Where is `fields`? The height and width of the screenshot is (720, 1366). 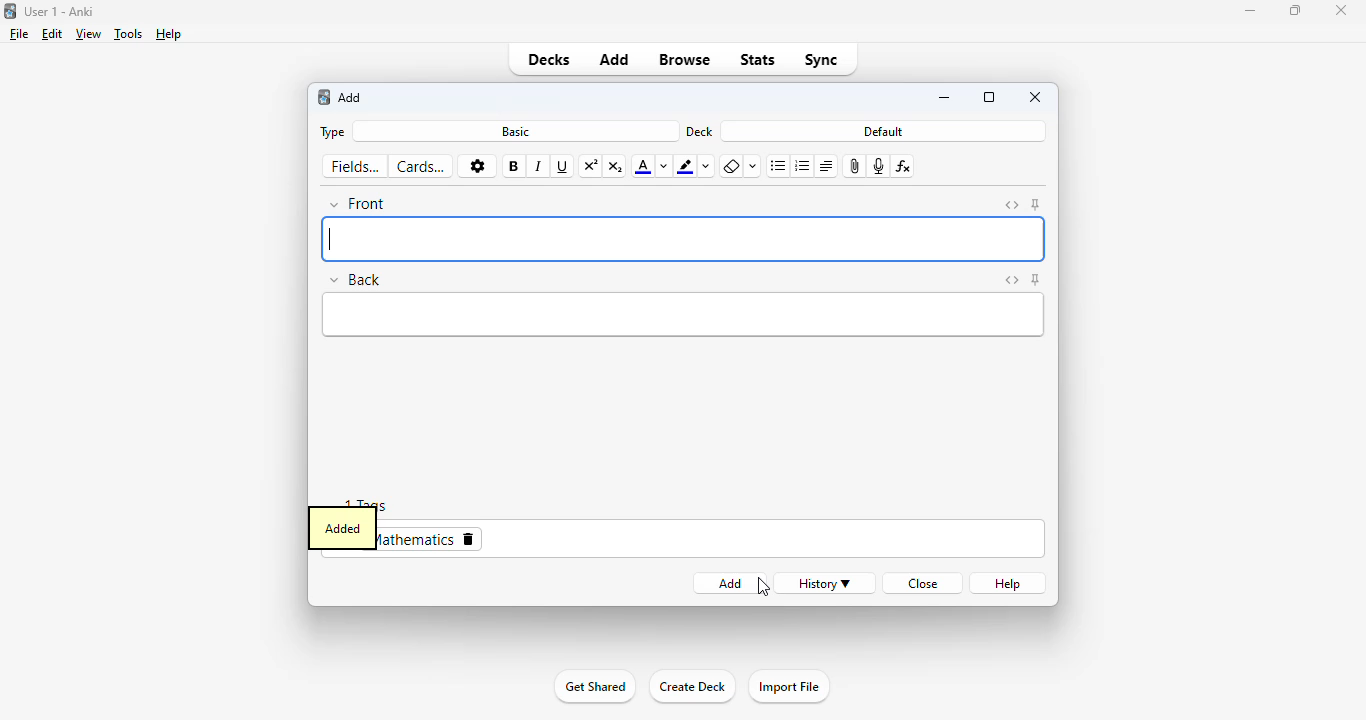
fields is located at coordinates (356, 167).